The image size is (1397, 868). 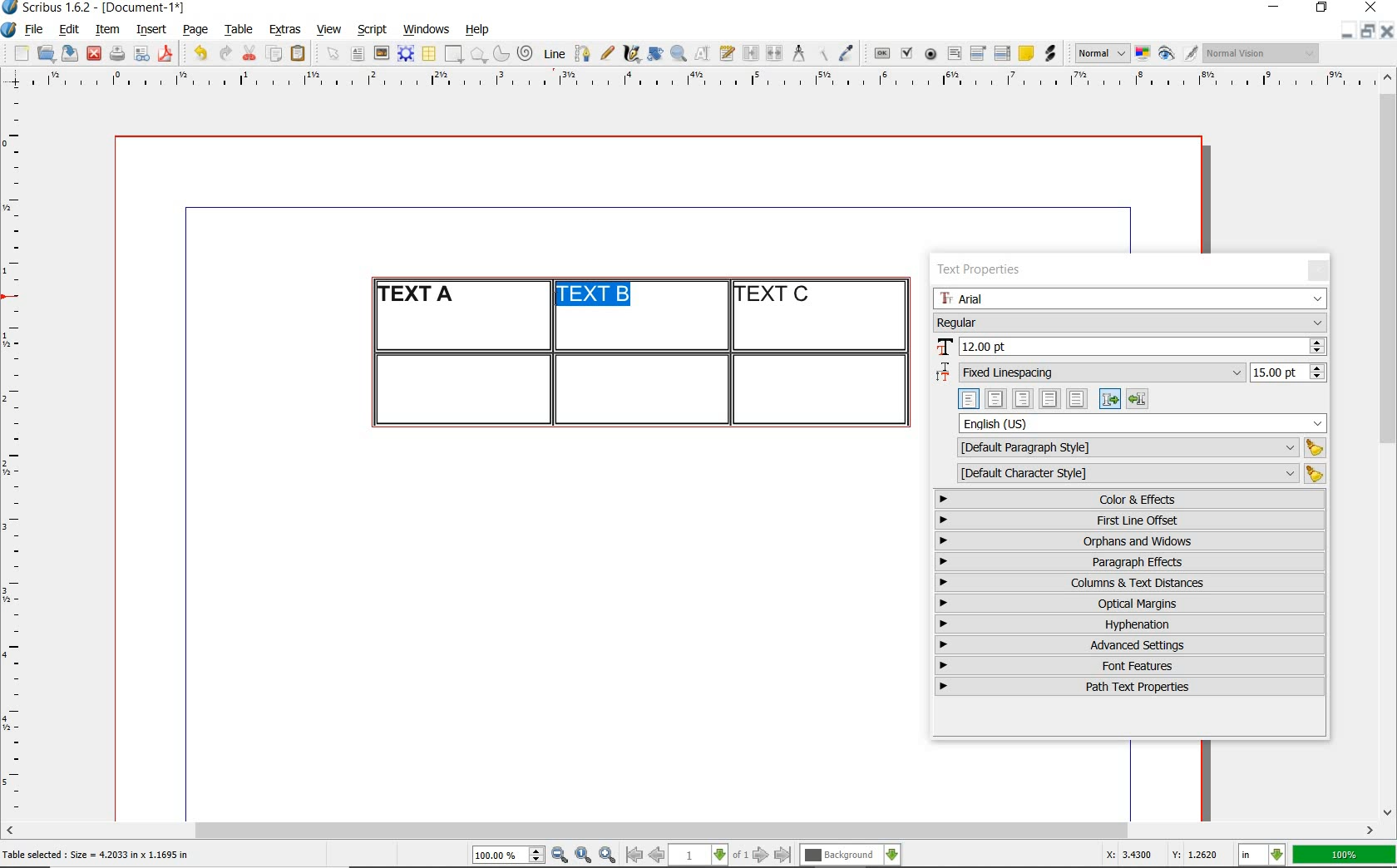 I want to click on polygon, so click(x=478, y=54).